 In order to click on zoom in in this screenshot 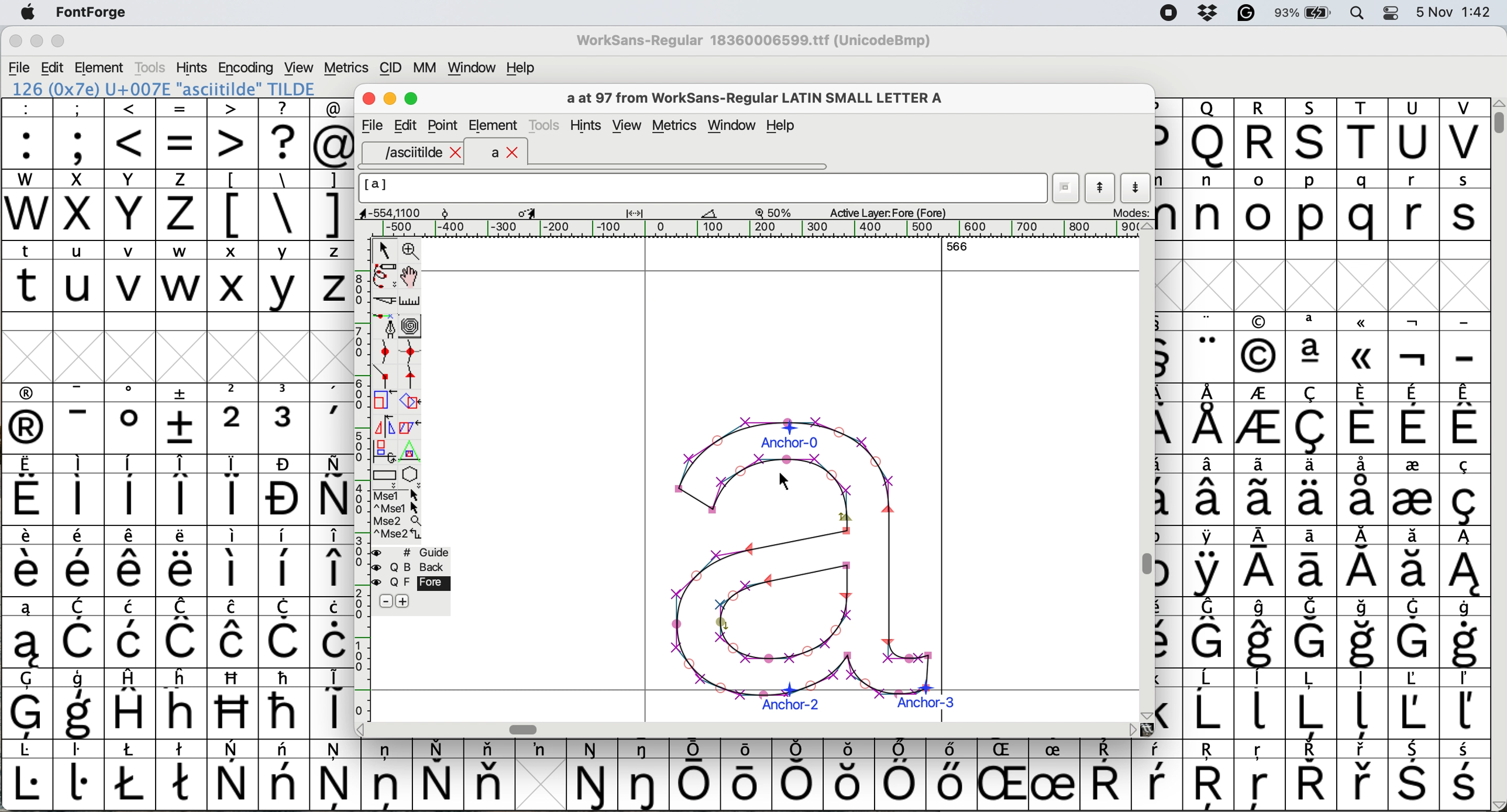, I will do `click(413, 252)`.